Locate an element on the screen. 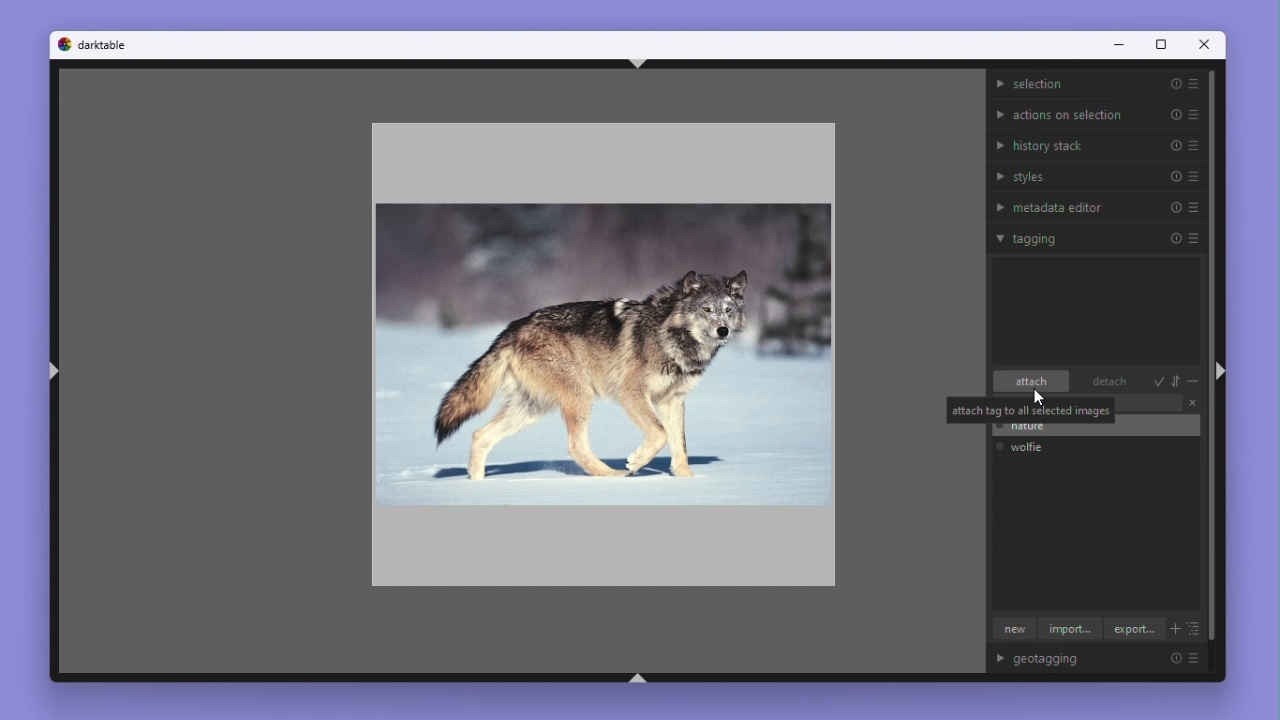 The width and height of the screenshot is (1280, 720). Text is located at coordinates (1030, 410).